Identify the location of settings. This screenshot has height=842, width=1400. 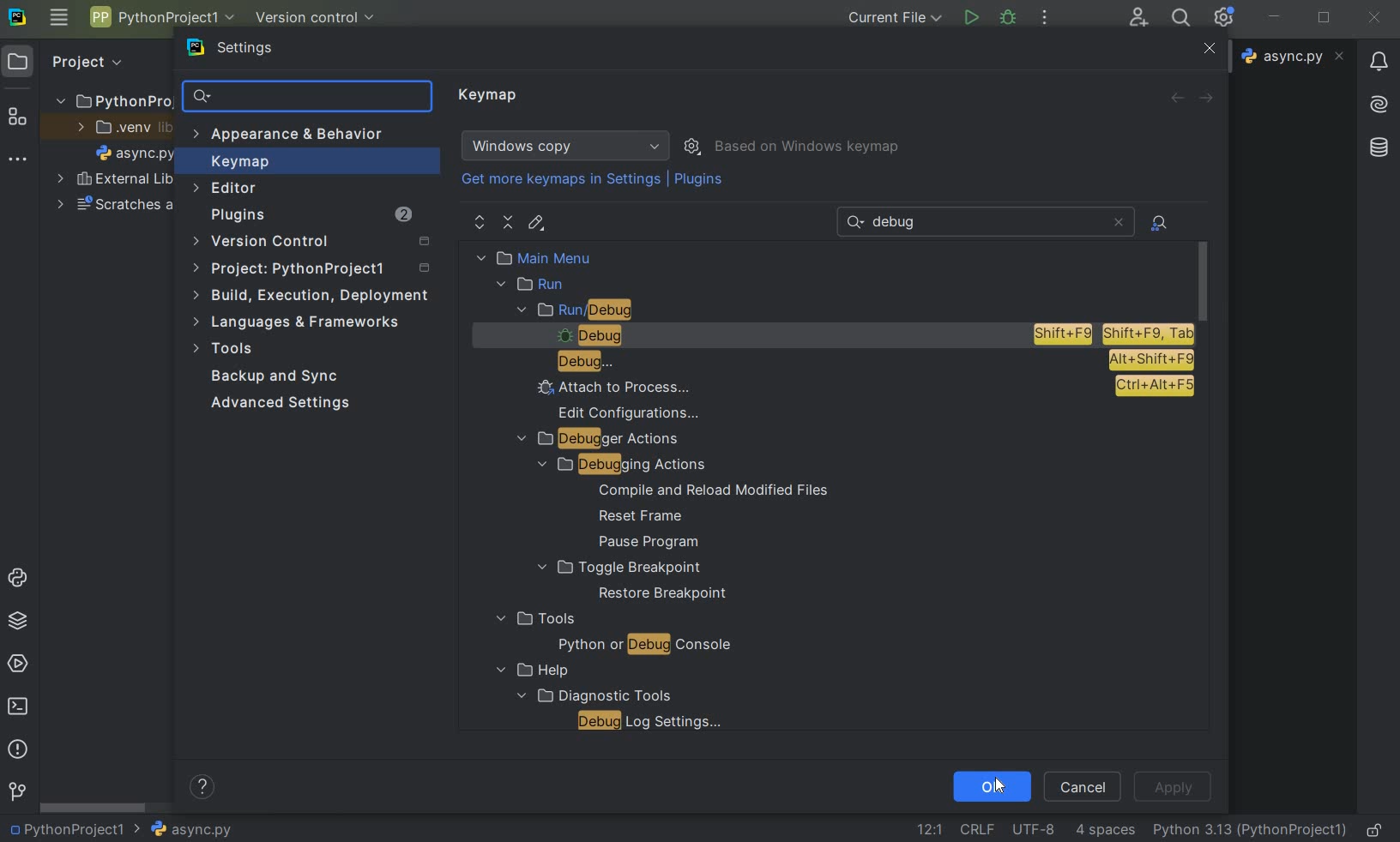
(241, 51).